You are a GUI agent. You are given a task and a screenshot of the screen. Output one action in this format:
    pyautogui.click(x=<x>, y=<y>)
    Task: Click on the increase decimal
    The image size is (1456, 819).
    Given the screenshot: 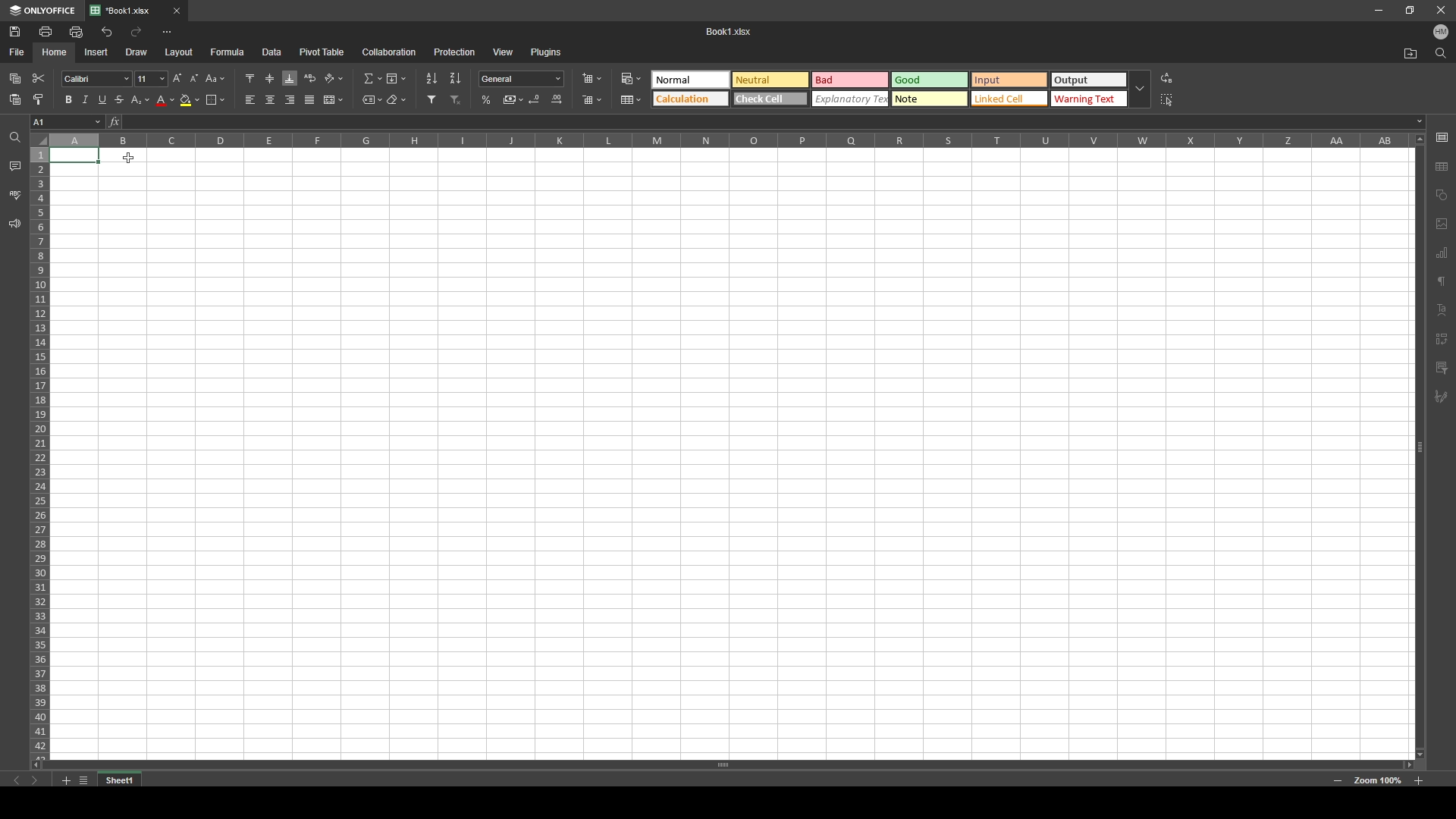 What is the action you would take?
    pyautogui.click(x=557, y=99)
    